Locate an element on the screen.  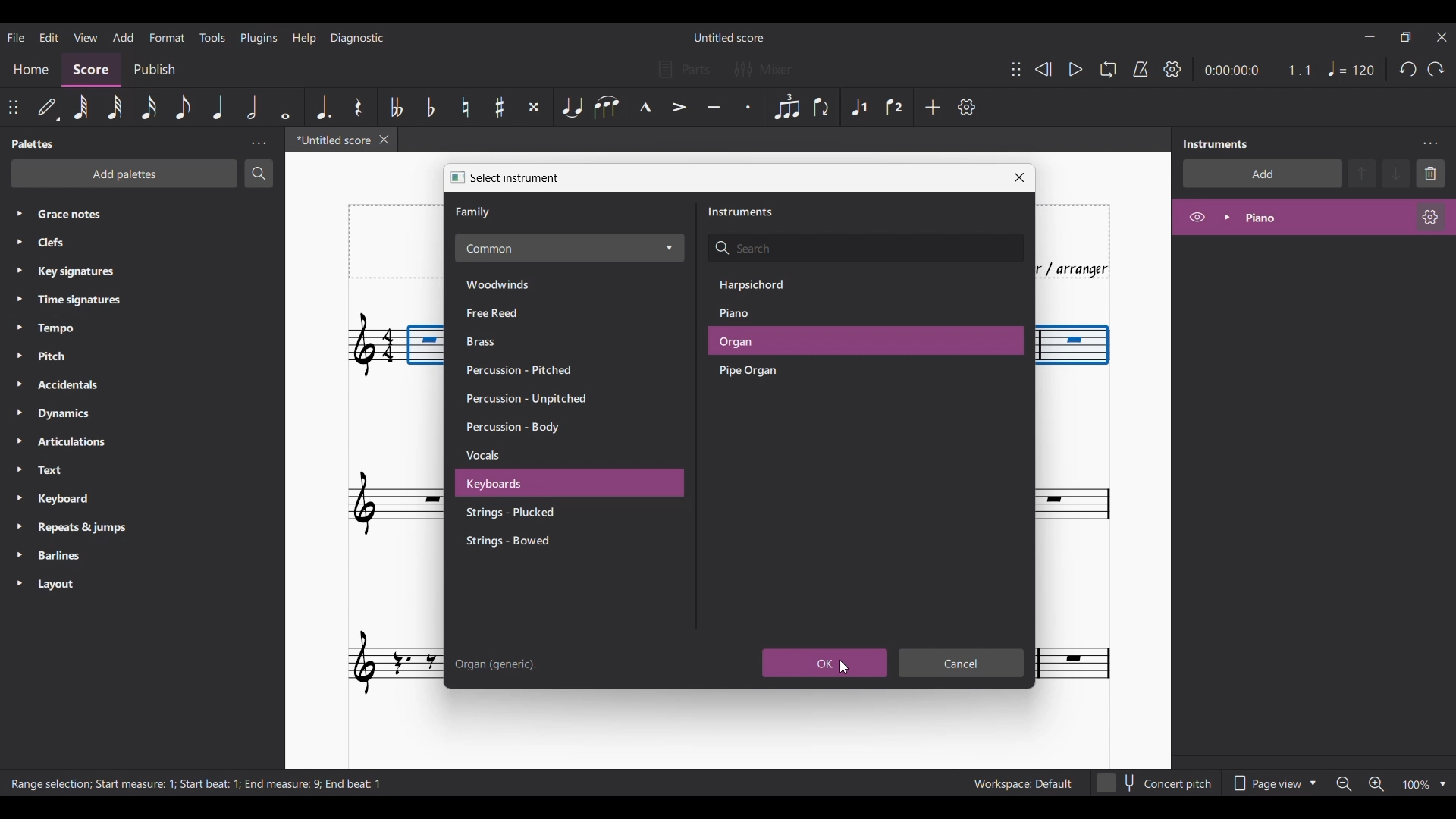
Layout is located at coordinates (79, 585).